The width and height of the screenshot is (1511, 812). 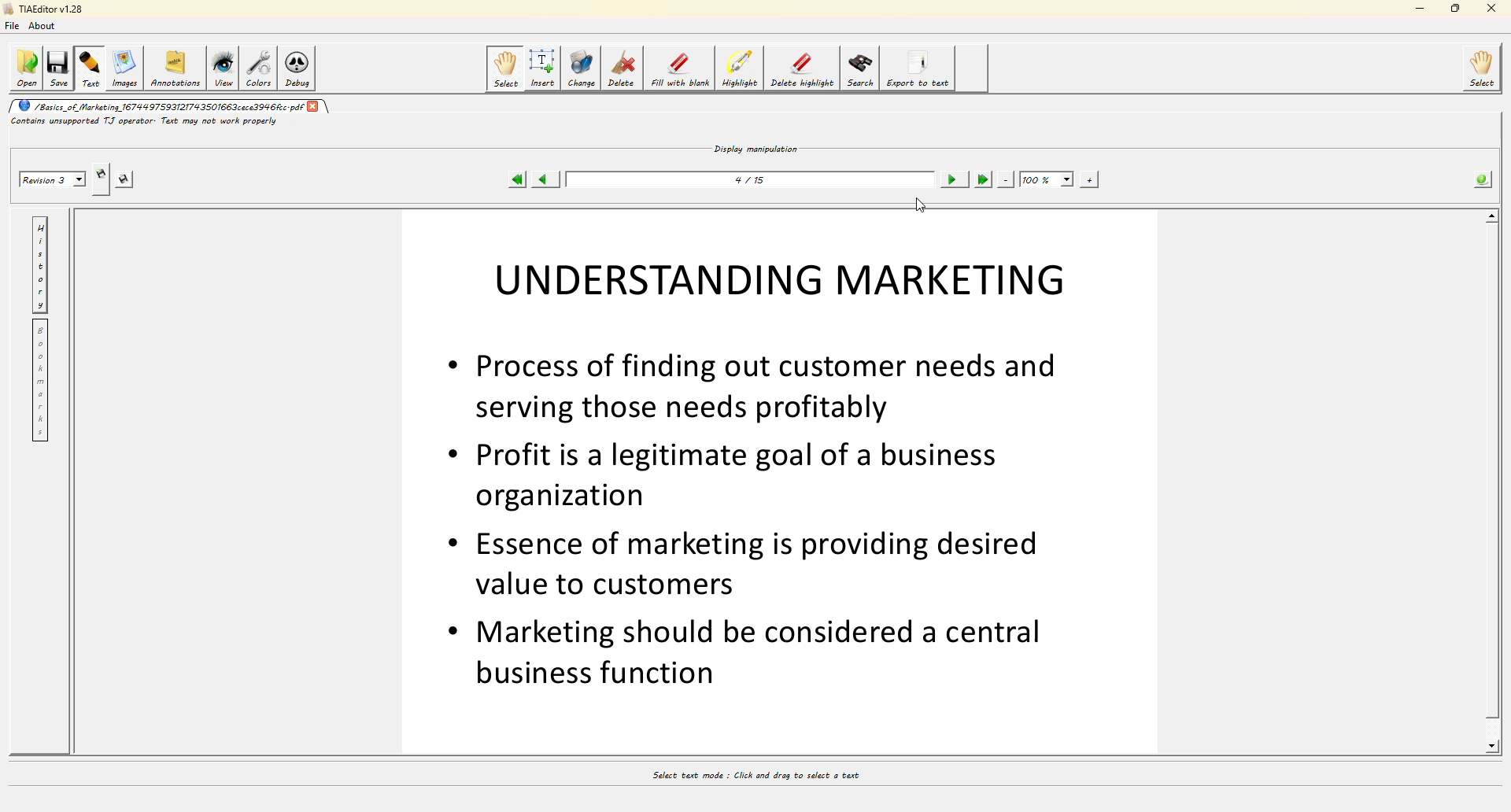 I want to click on close, so click(x=318, y=107).